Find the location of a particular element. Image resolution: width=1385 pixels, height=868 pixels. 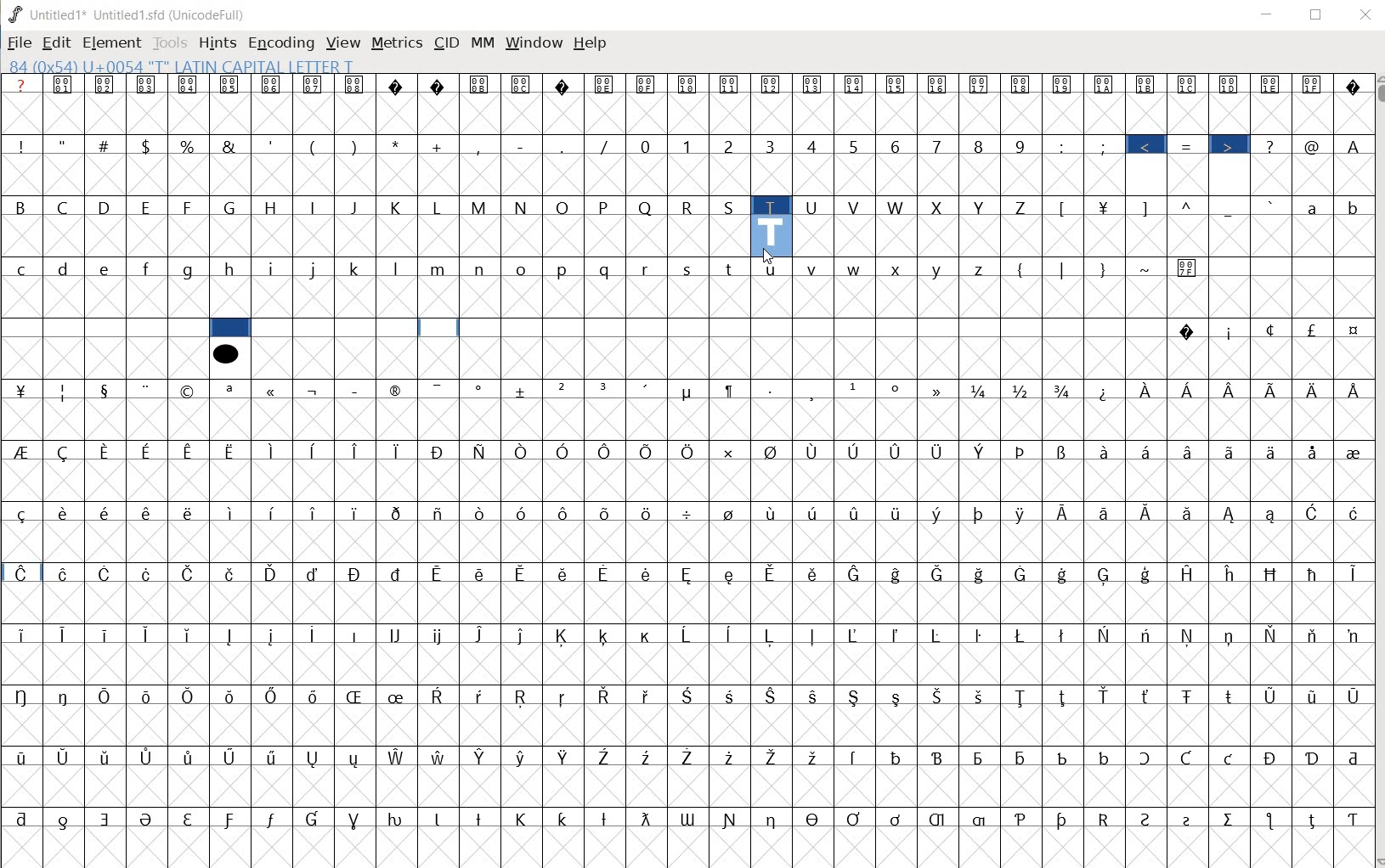

Symbol is located at coordinates (316, 633).